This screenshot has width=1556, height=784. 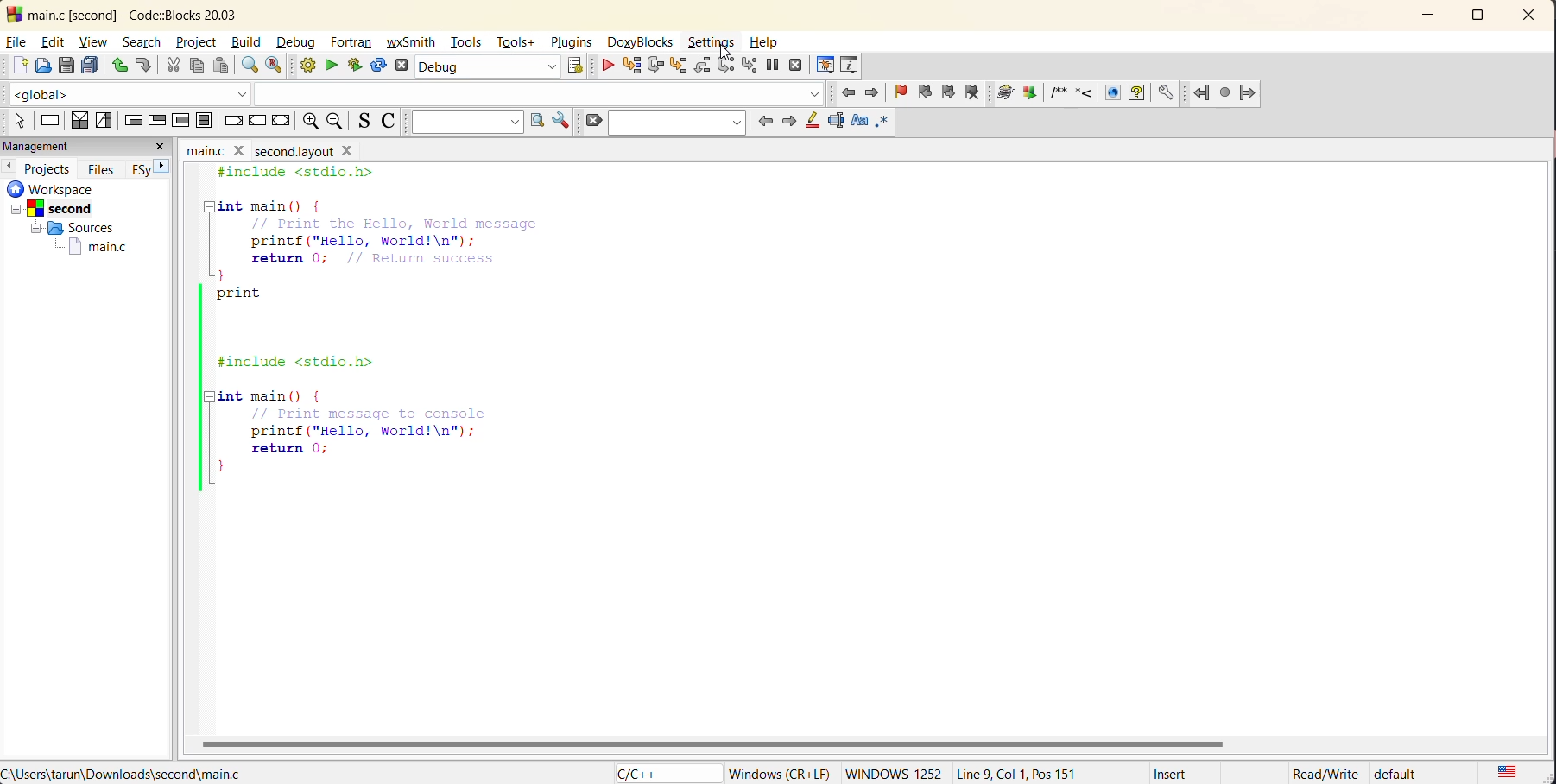 What do you see at coordinates (724, 40) in the screenshot?
I see `Cursor` at bounding box center [724, 40].